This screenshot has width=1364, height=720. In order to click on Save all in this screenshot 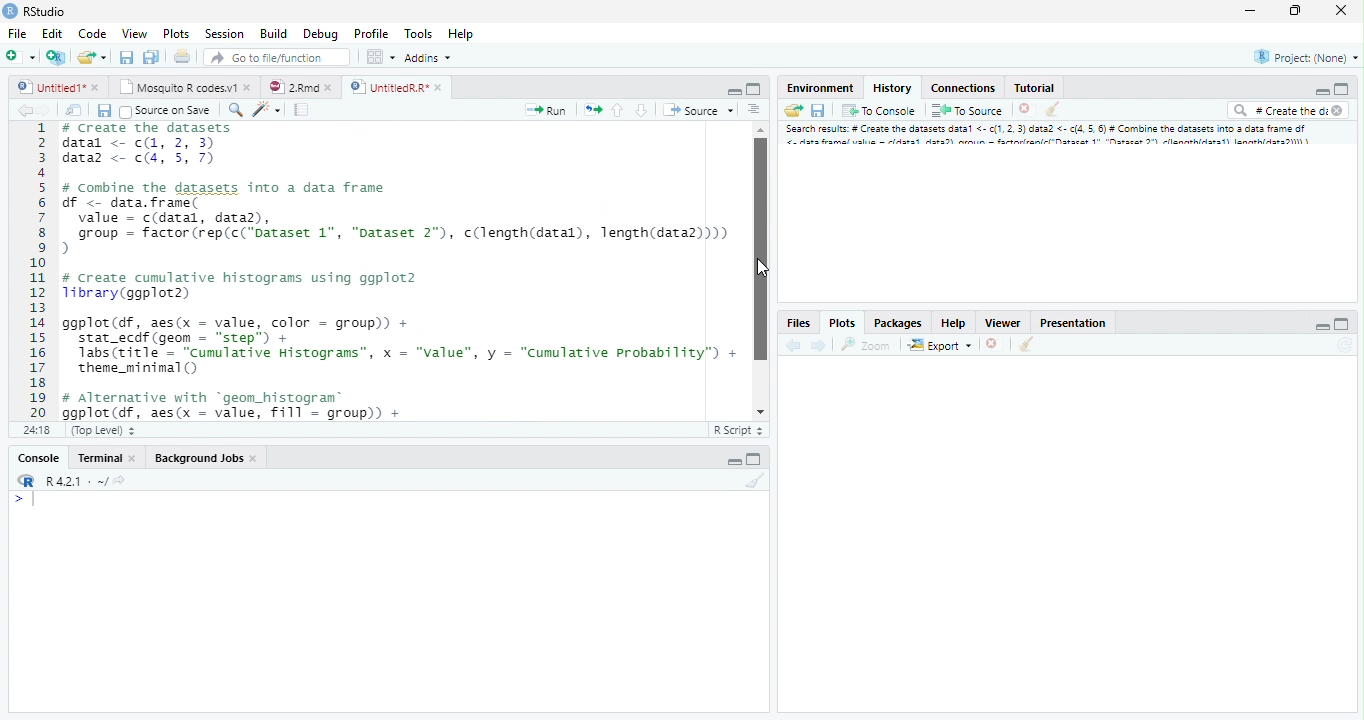, I will do `click(151, 57)`.